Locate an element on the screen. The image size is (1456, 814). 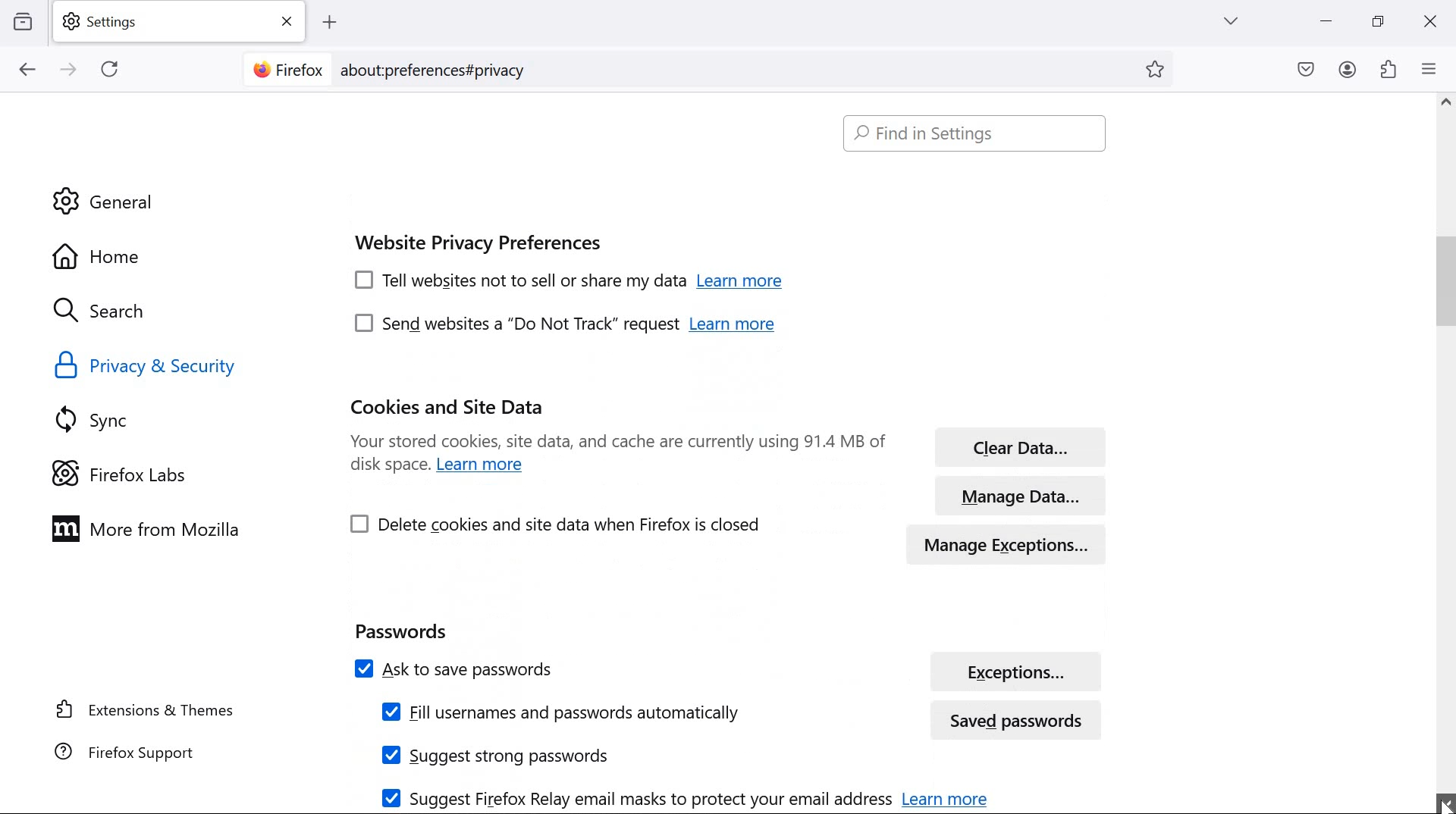
Fill usernames and passwords automatically is located at coordinates (566, 710).